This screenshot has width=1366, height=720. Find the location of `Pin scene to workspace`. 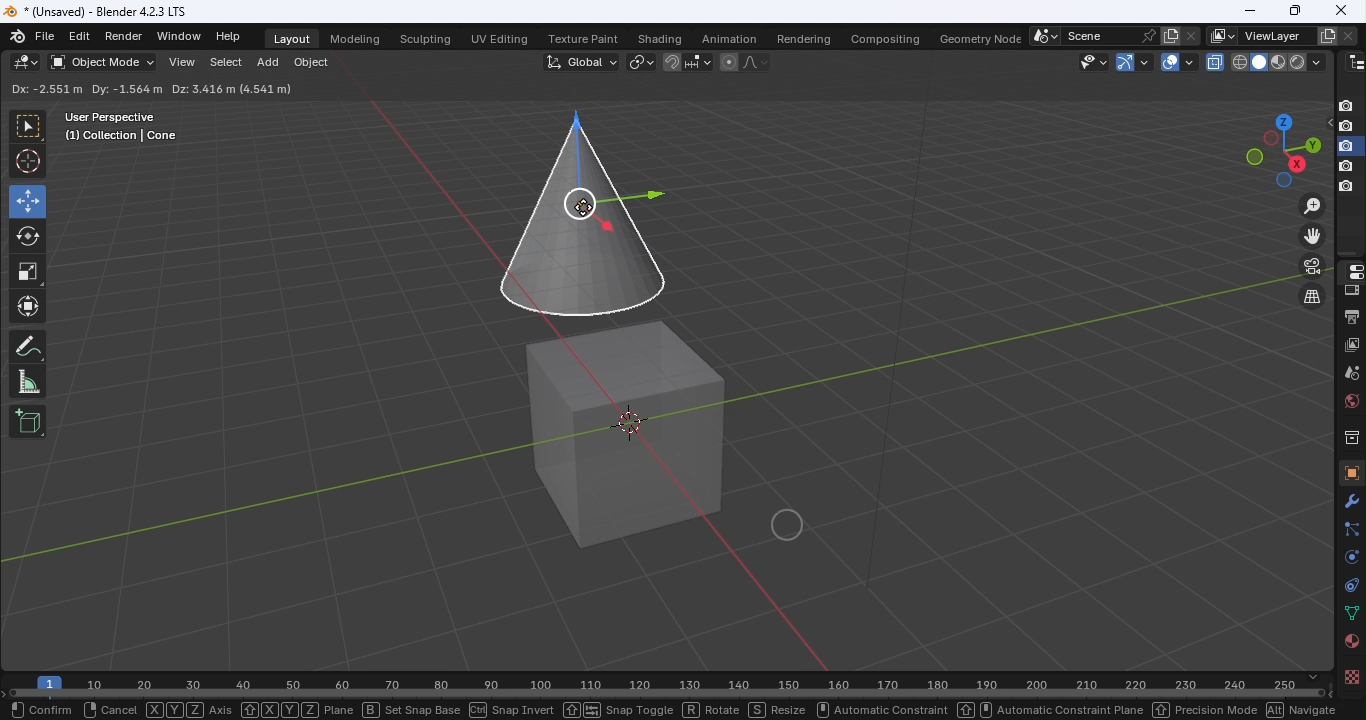

Pin scene to workspace is located at coordinates (1147, 35).